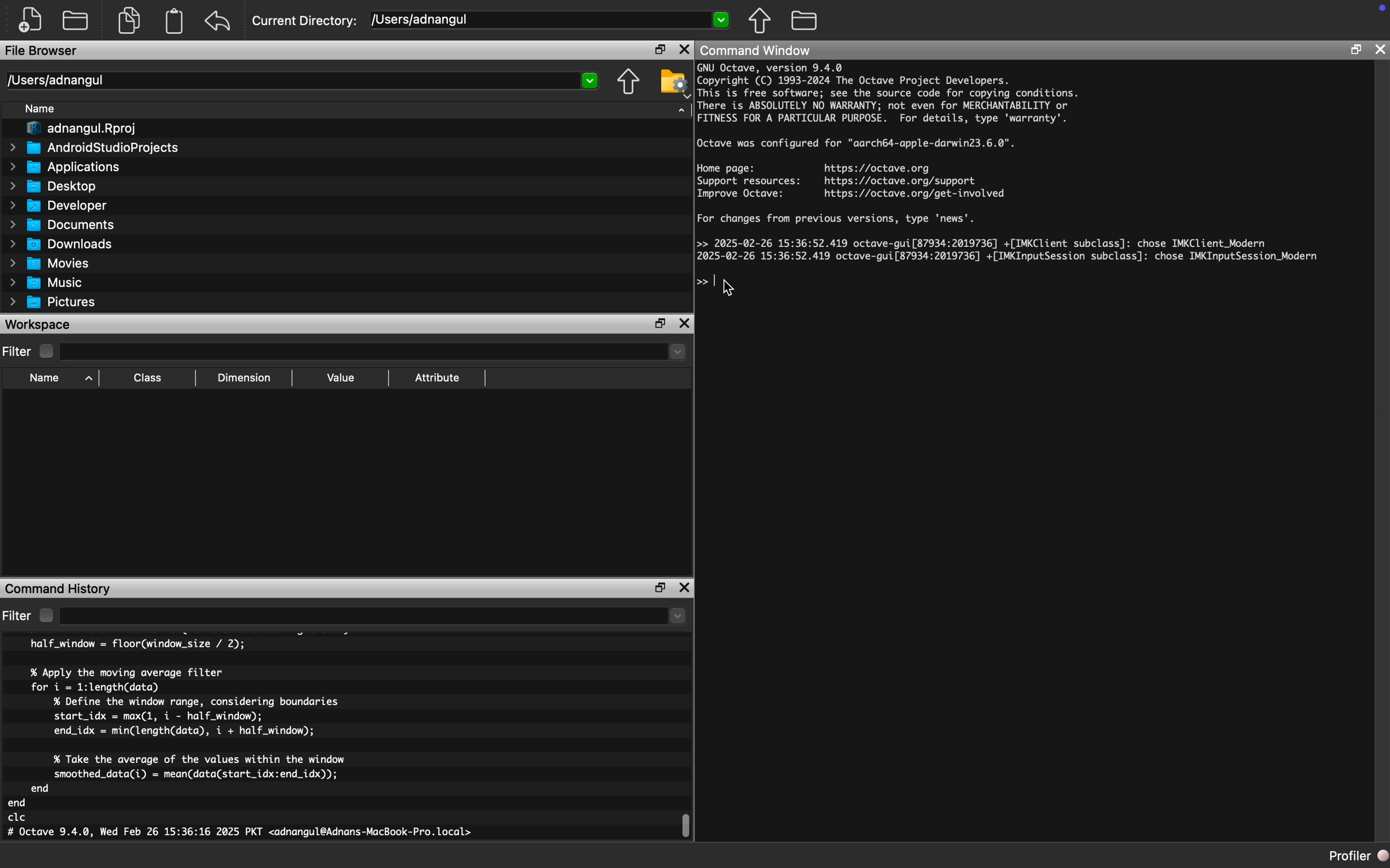 The height and width of the screenshot is (868, 1390). What do you see at coordinates (241, 834) in the screenshot?
I see `# Octave 9.4.0, Wed Feb 26 15:36:16 2025 PKT <adnangul@Adnans-MacBook-Pro.local>` at bounding box center [241, 834].